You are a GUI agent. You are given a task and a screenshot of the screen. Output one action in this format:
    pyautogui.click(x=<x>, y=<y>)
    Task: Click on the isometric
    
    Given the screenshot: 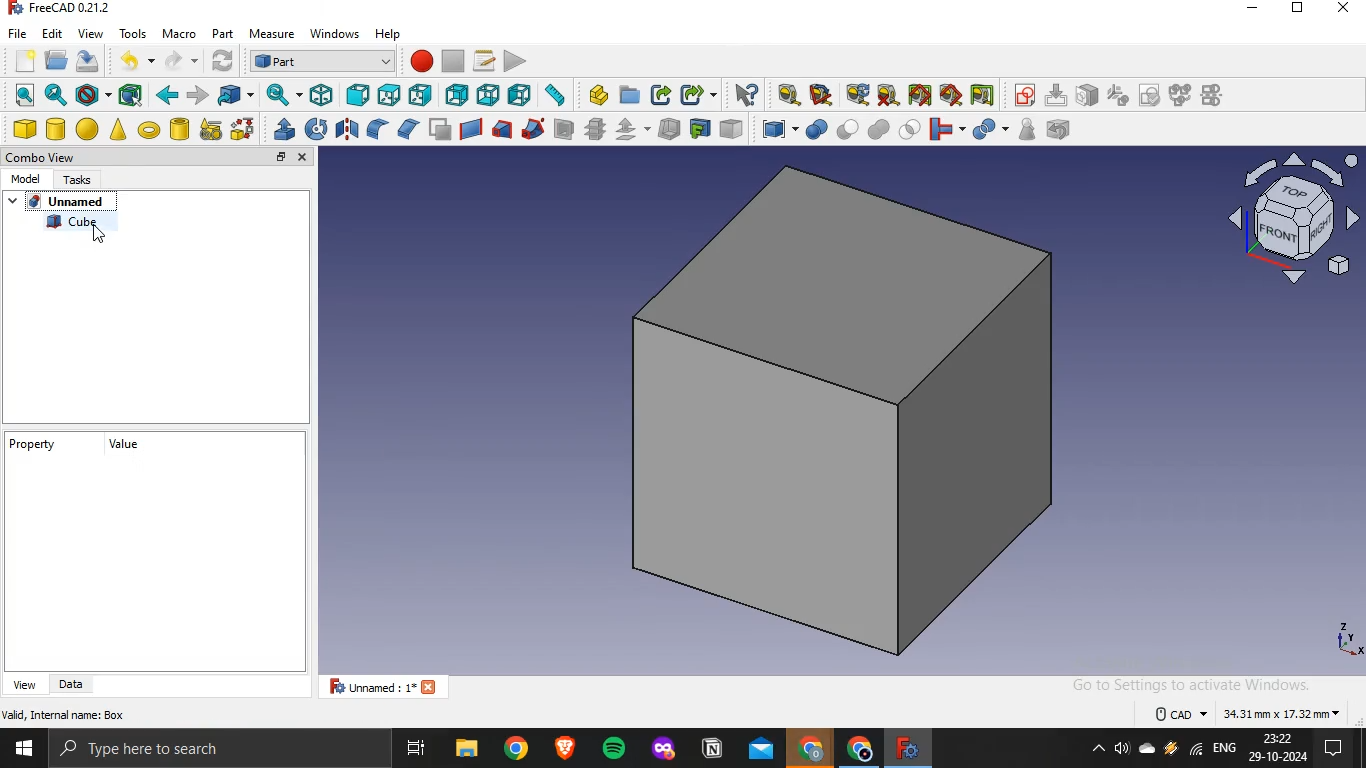 What is the action you would take?
    pyautogui.click(x=321, y=94)
    